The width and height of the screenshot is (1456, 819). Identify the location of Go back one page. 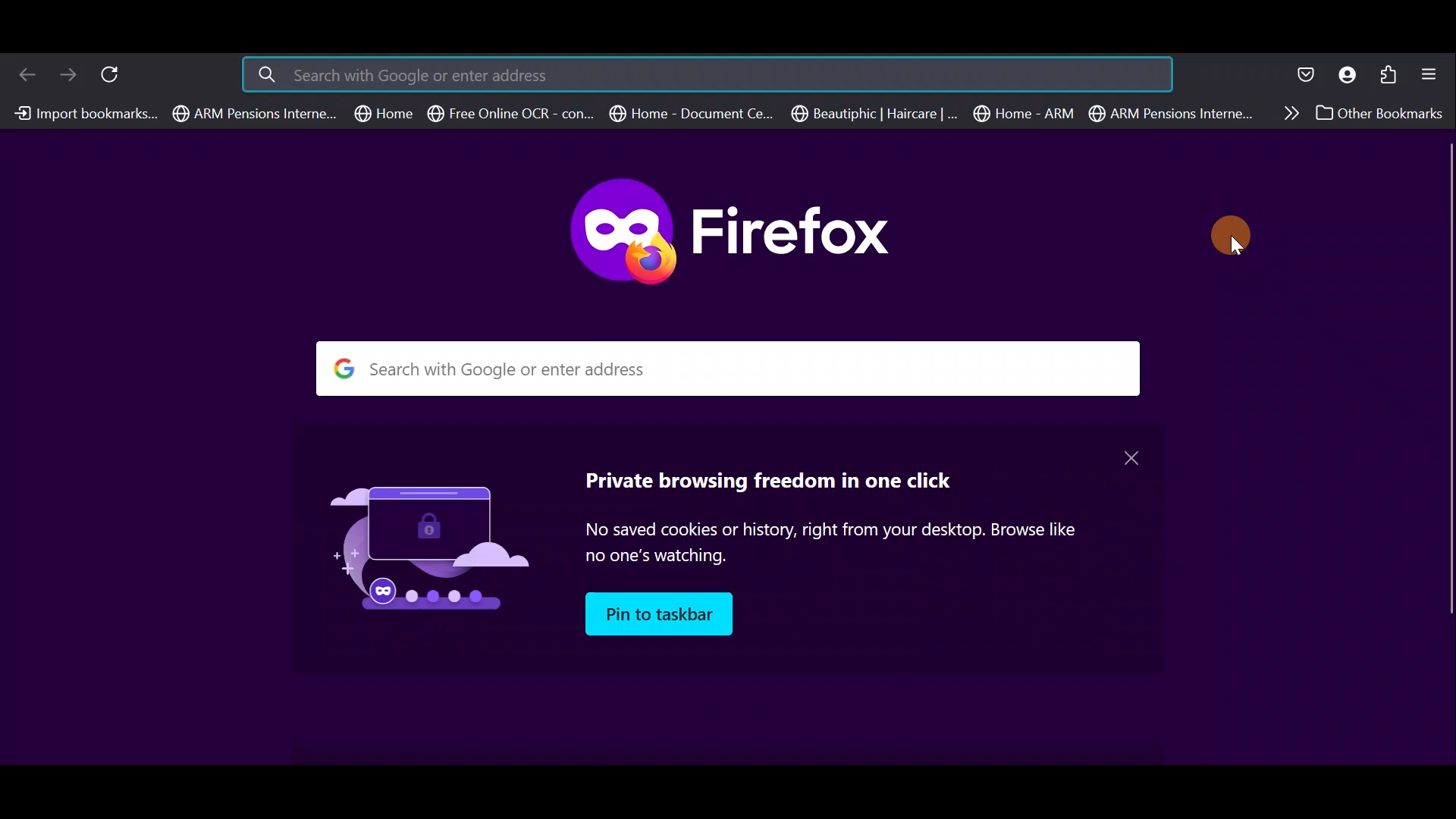
(23, 73).